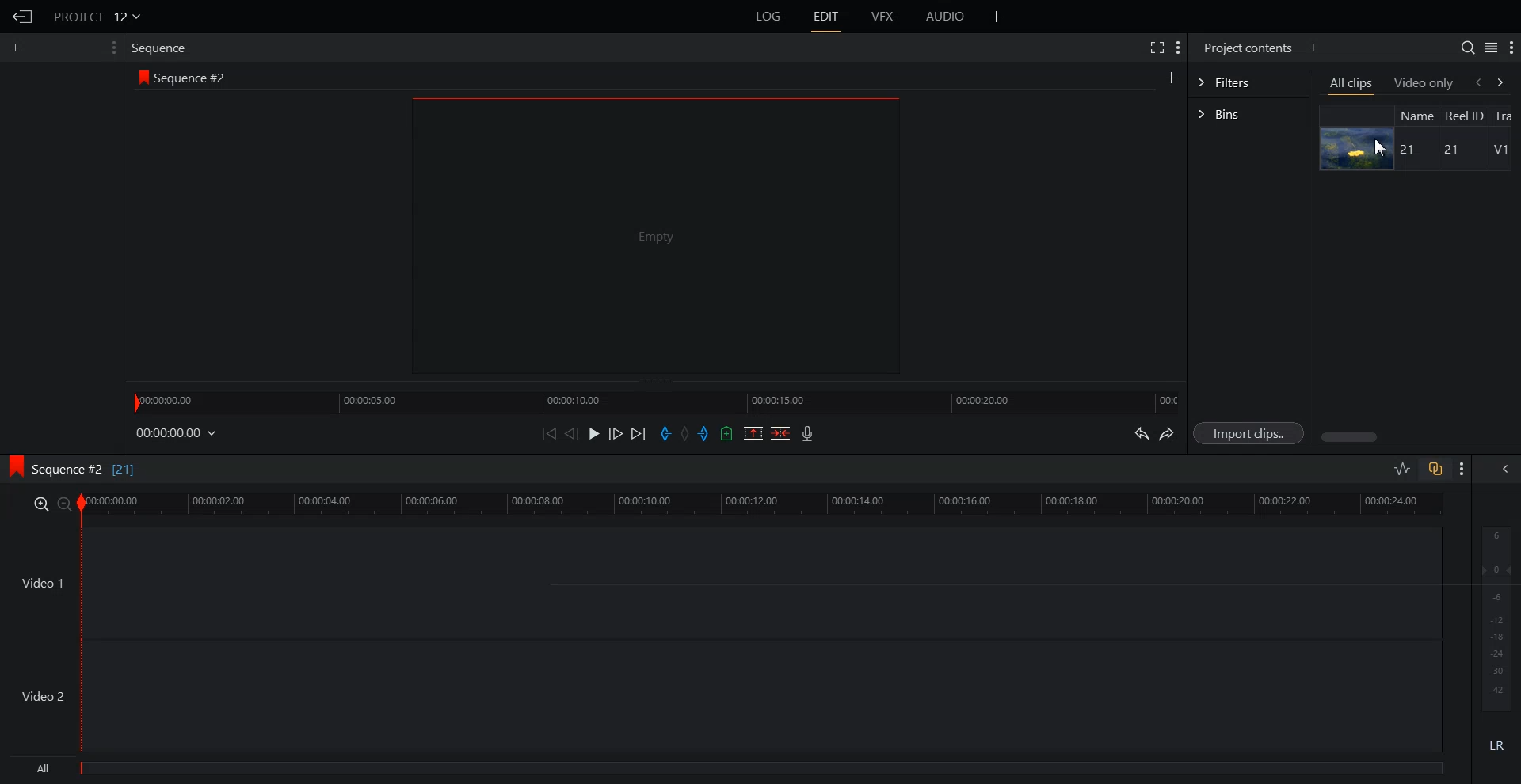  I want to click on Move Forward, so click(638, 433).